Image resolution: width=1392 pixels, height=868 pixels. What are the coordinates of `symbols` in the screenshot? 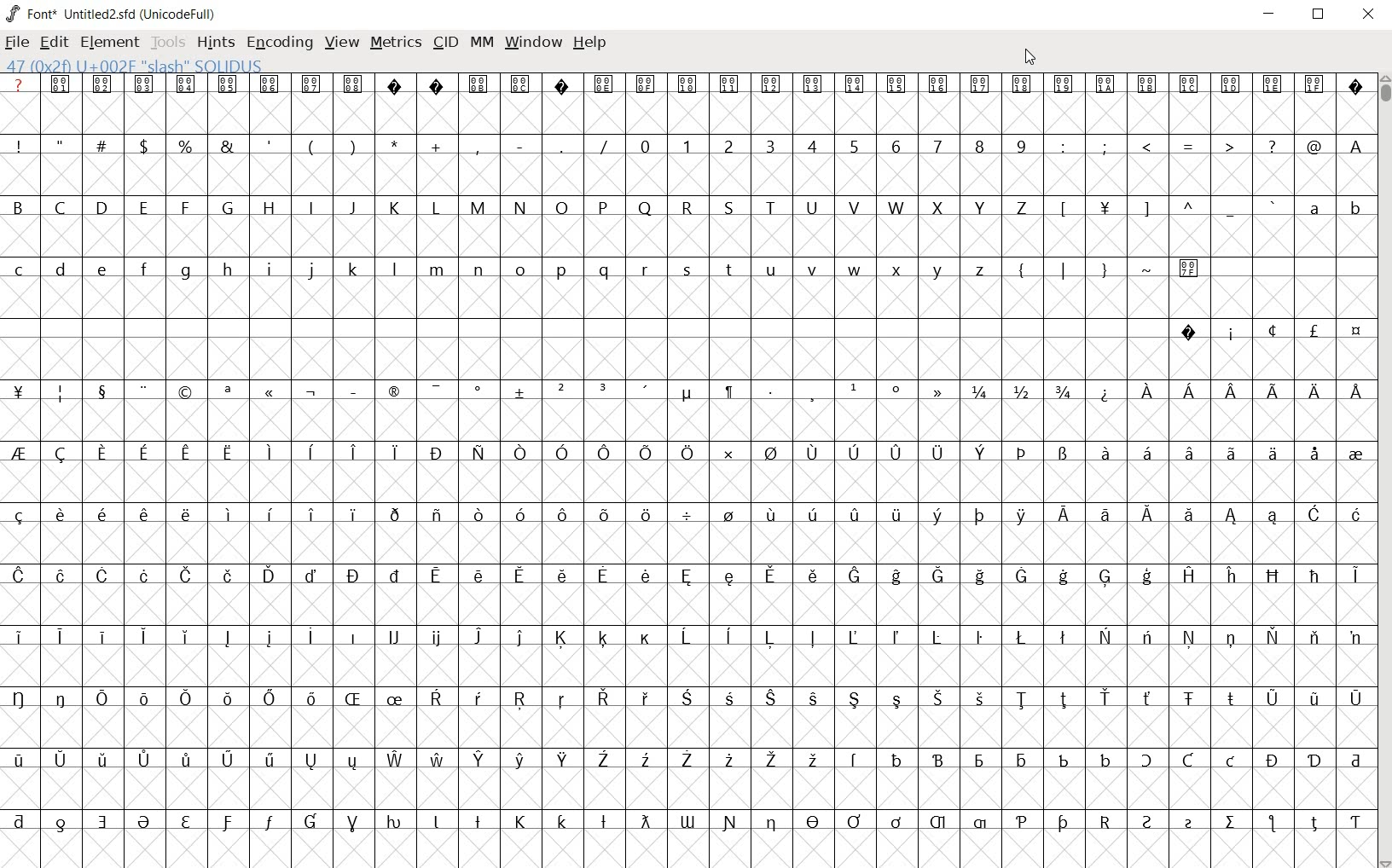 It's located at (1189, 146).